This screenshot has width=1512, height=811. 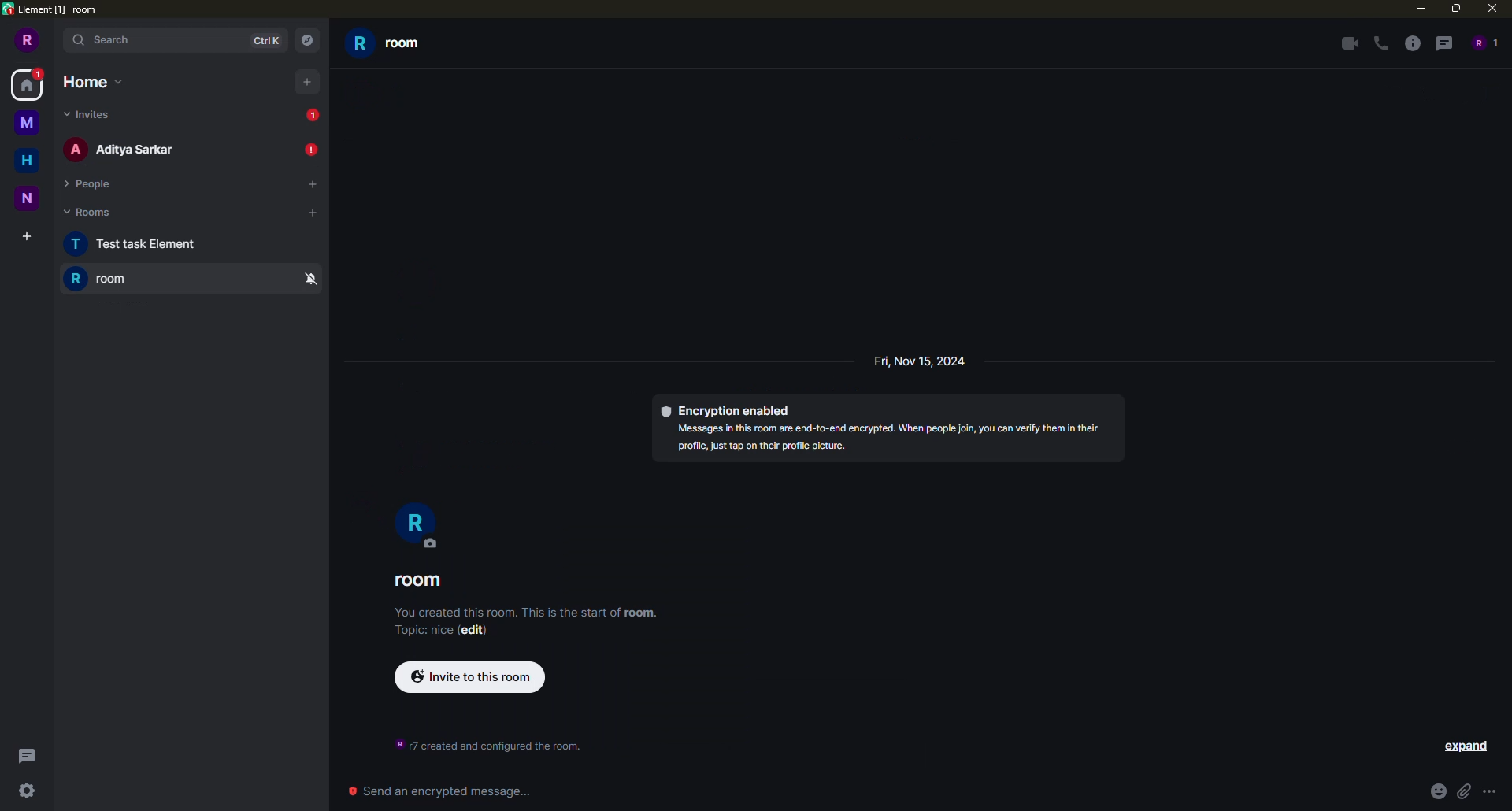 What do you see at coordinates (309, 213) in the screenshot?
I see `add` at bounding box center [309, 213].